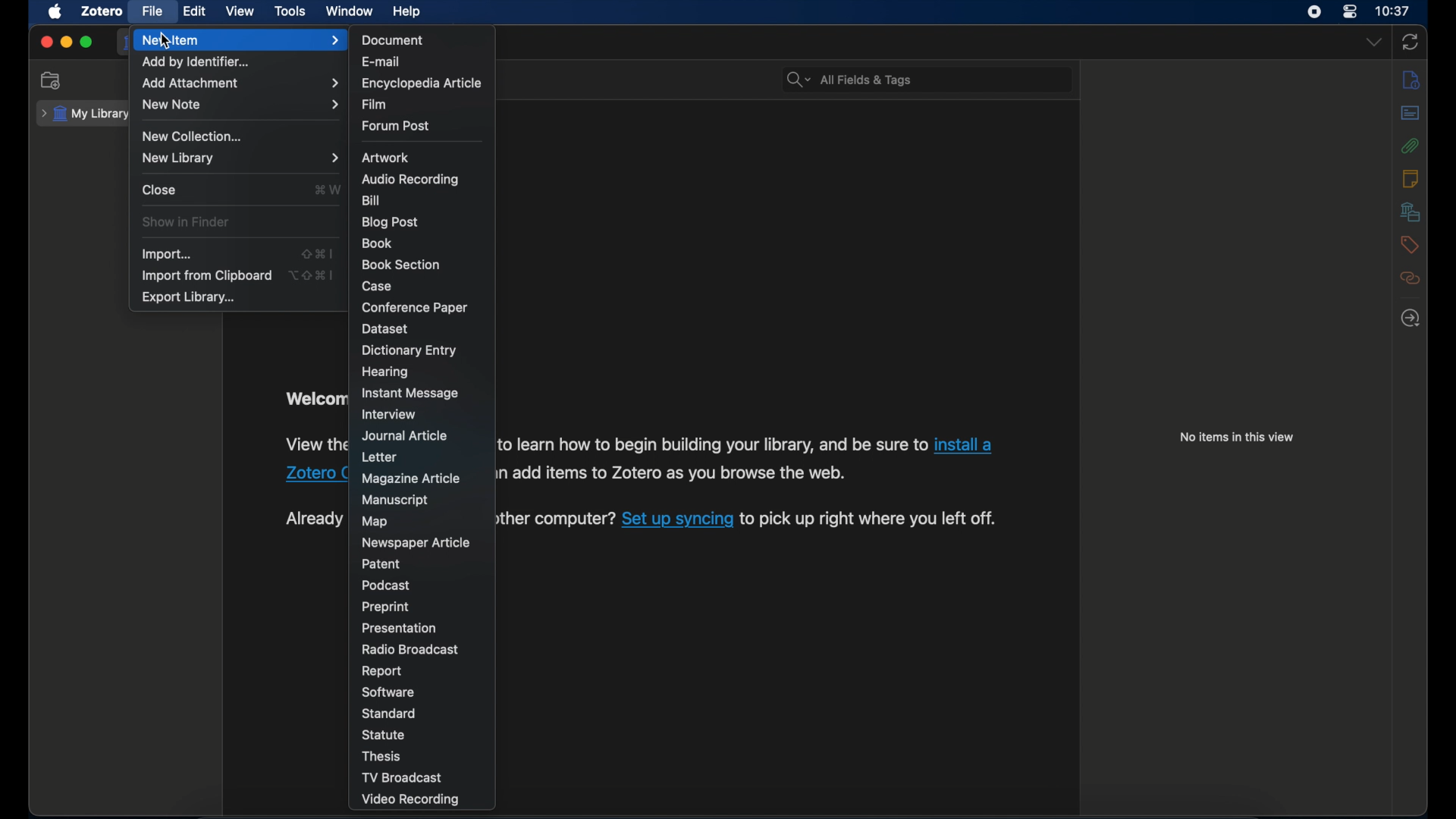 Image resolution: width=1456 pixels, height=819 pixels. Describe the element at coordinates (796, 77) in the screenshot. I see `search bar dropdown` at that location.